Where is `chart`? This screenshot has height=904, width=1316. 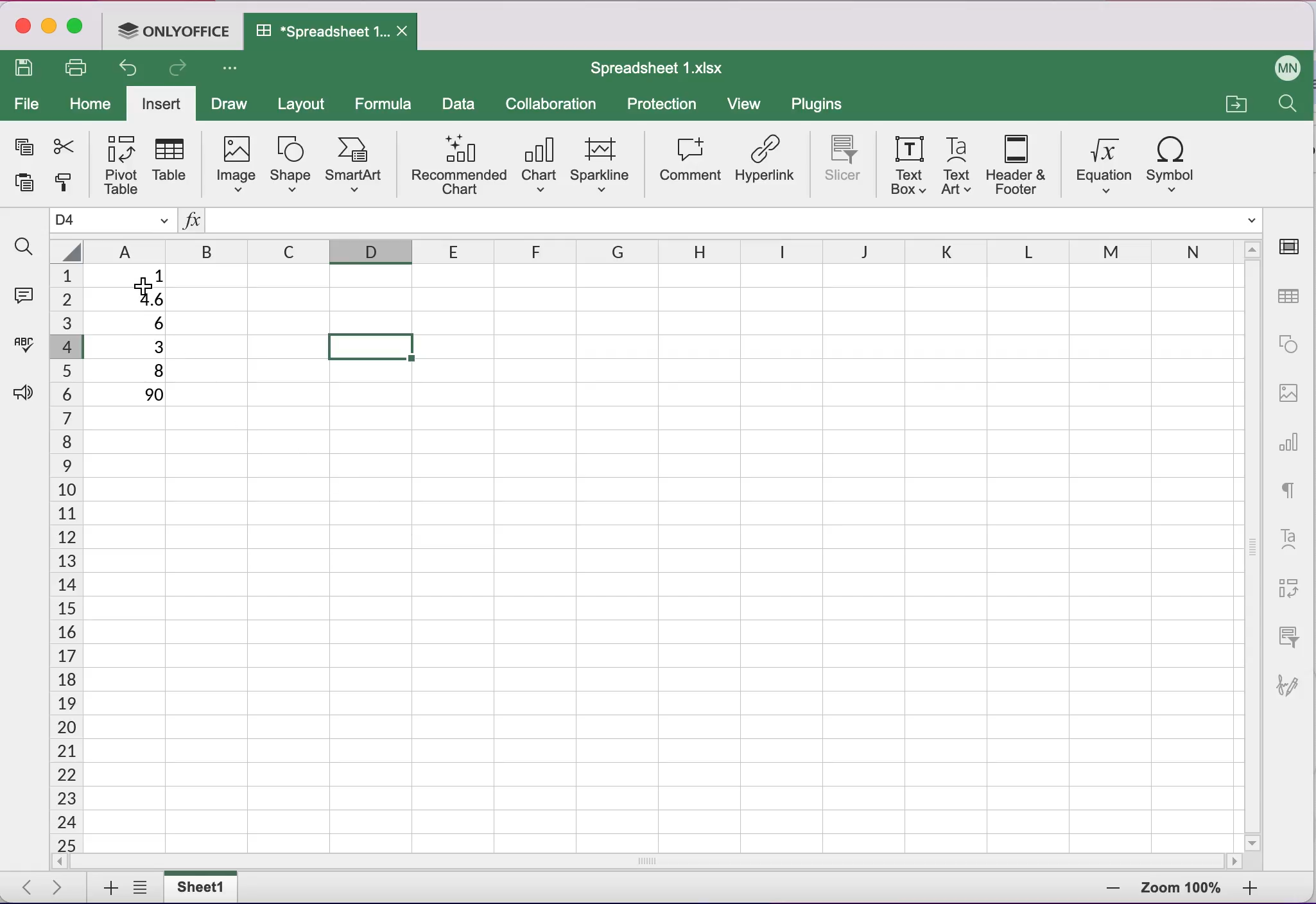 chart is located at coordinates (539, 167).